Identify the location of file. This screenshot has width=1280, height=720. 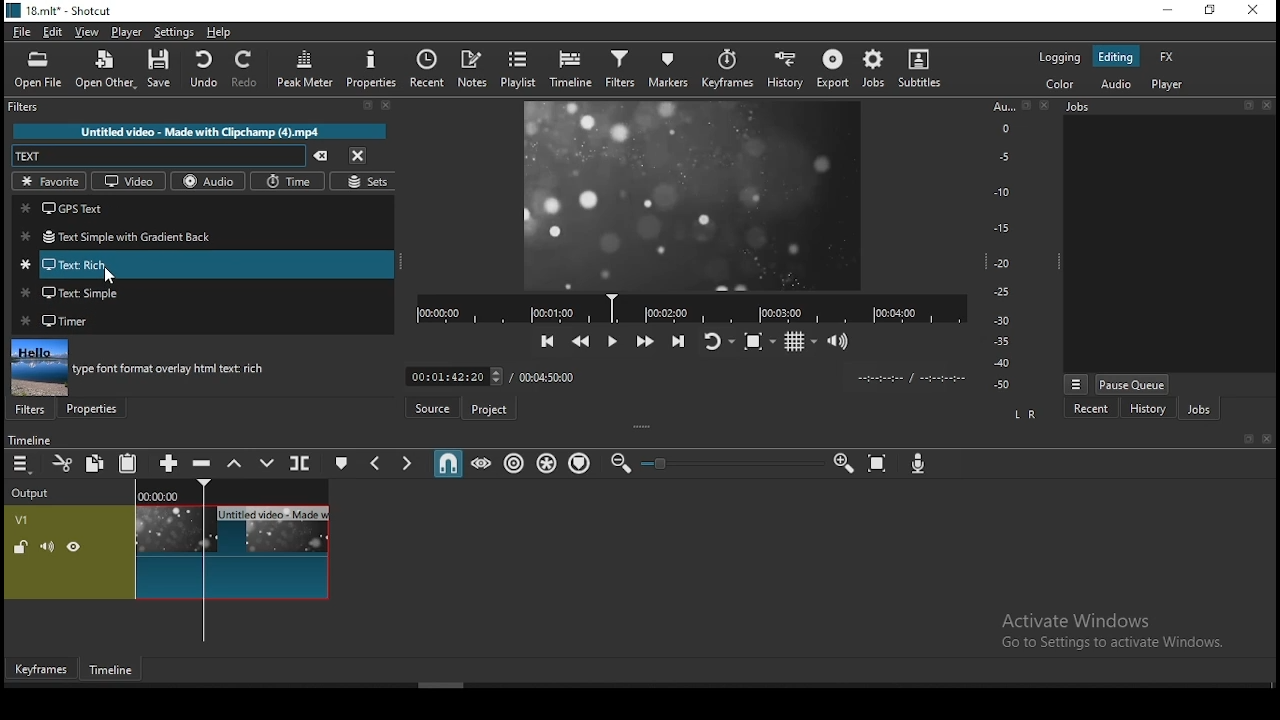
(22, 33).